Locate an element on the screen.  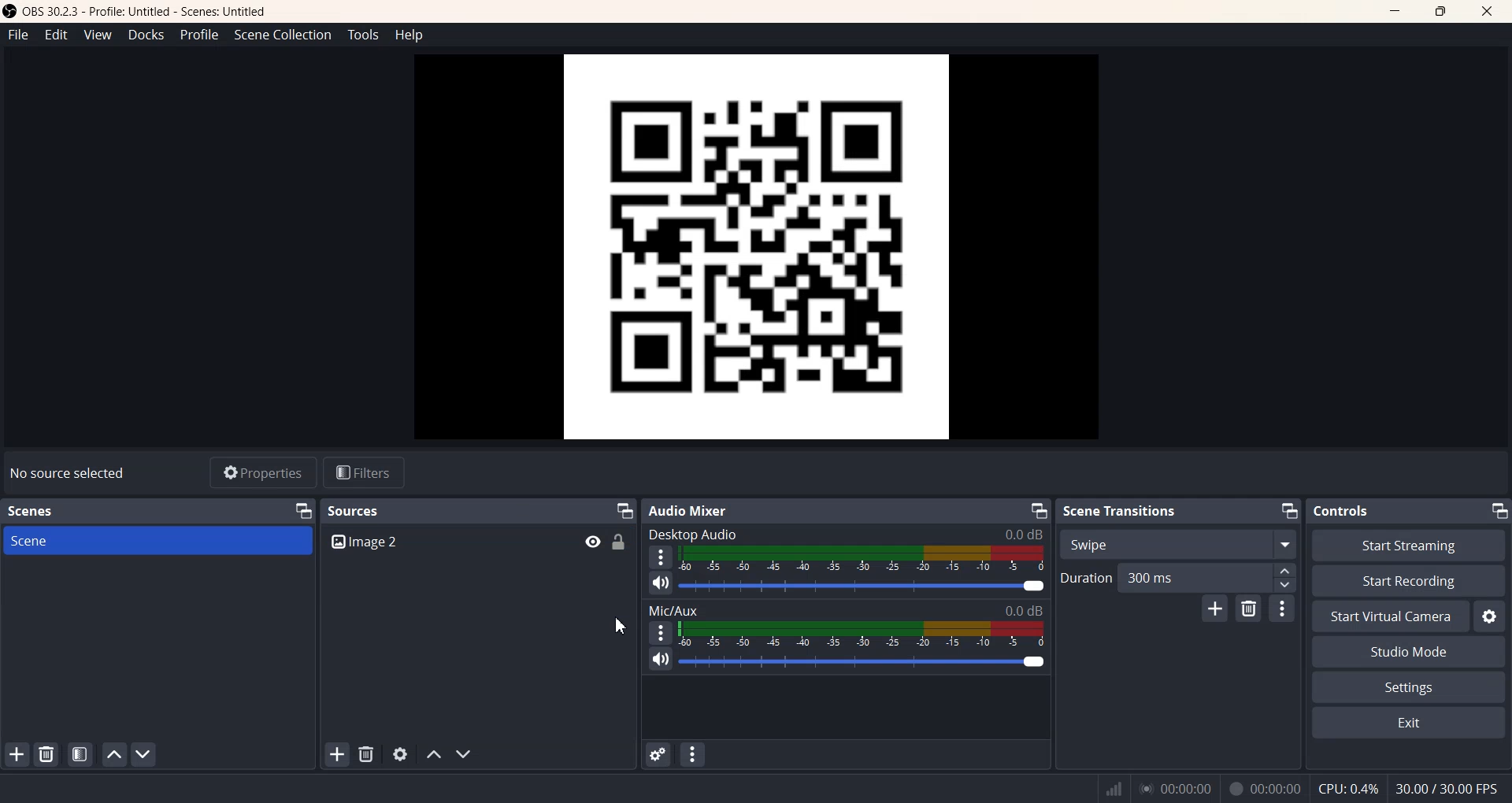
Add Configurable transition  is located at coordinates (1213, 609).